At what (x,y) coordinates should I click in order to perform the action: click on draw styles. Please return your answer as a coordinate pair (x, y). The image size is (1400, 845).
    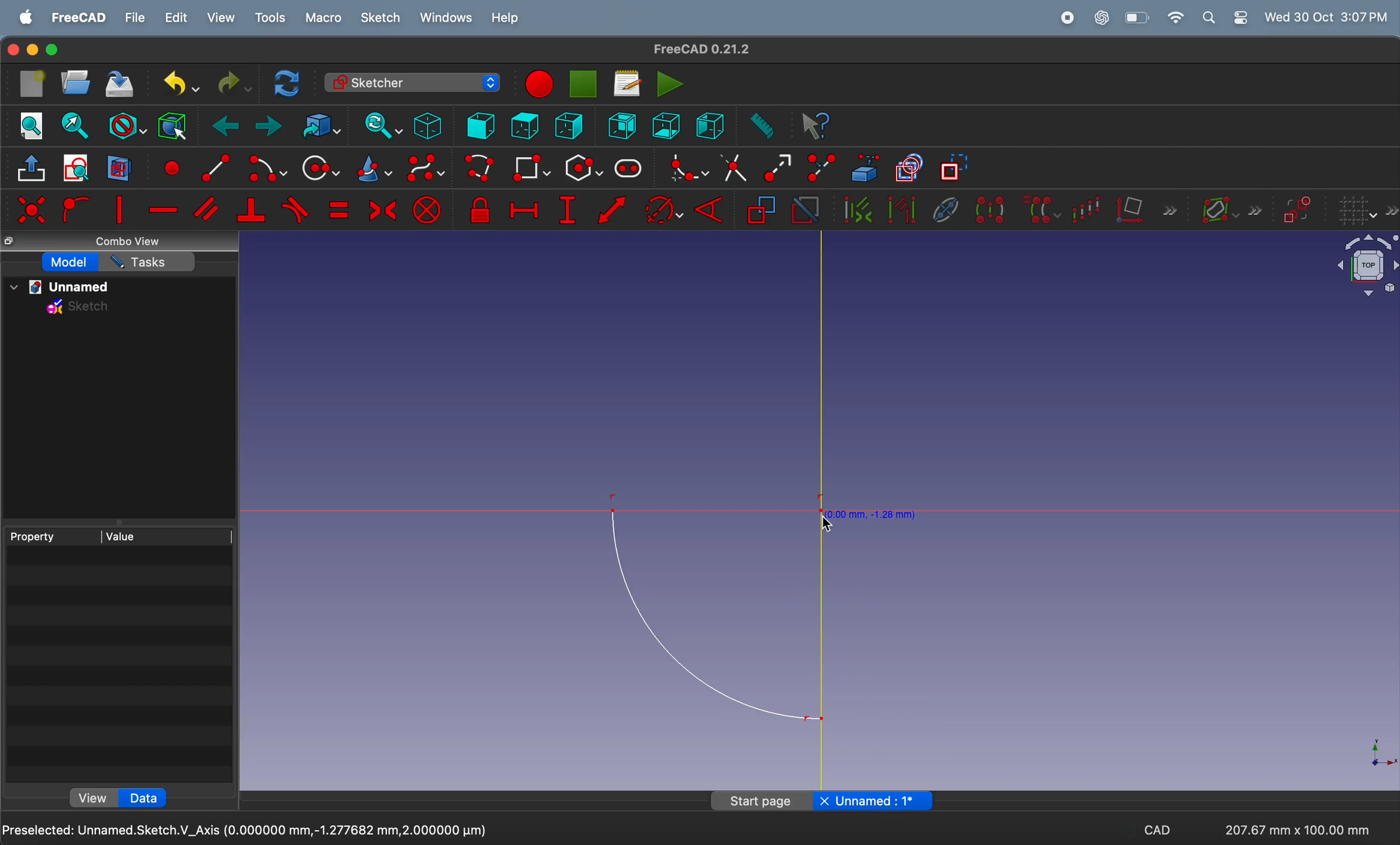
    Looking at the image, I should click on (126, 124).